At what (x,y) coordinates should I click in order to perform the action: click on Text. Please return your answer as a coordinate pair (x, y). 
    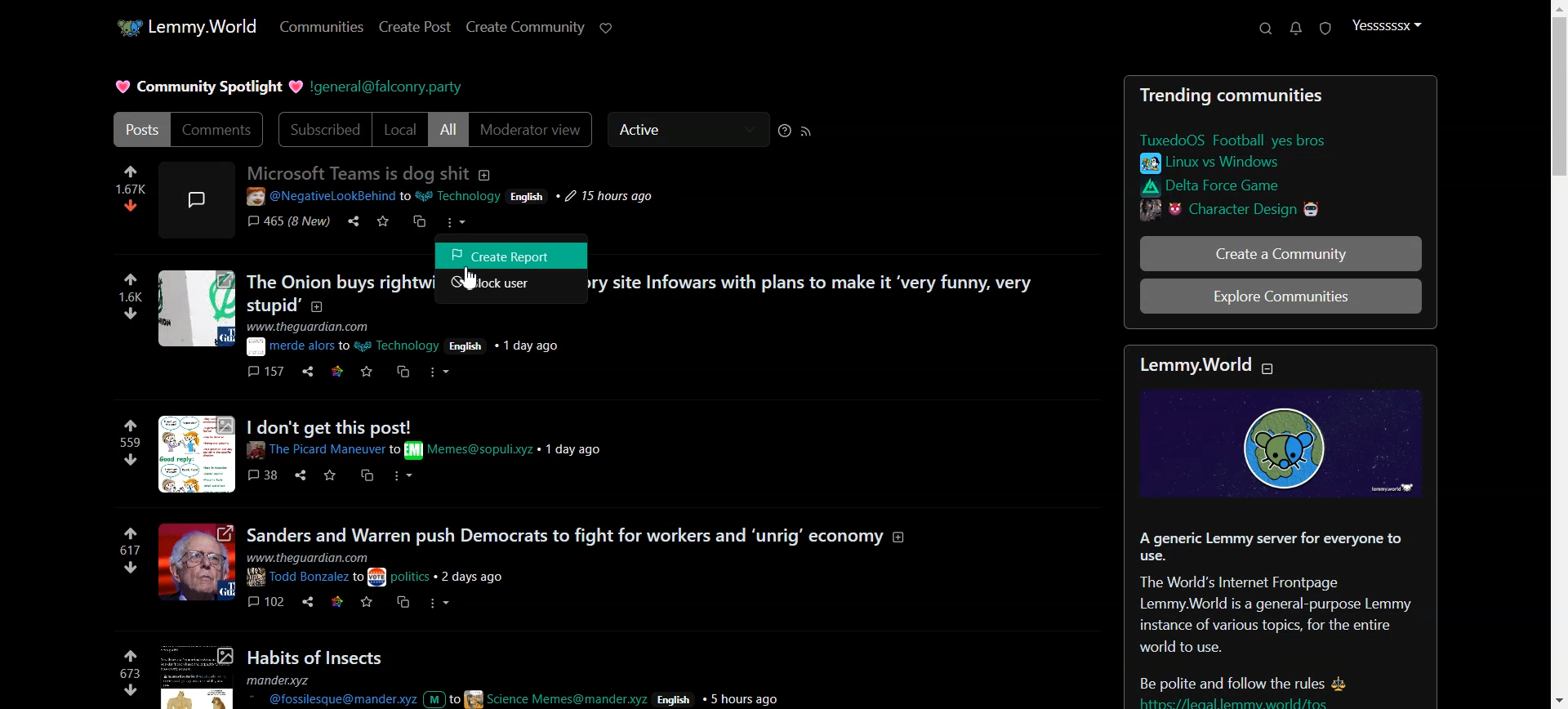
    Looking at the image, I should click on (206, 87).